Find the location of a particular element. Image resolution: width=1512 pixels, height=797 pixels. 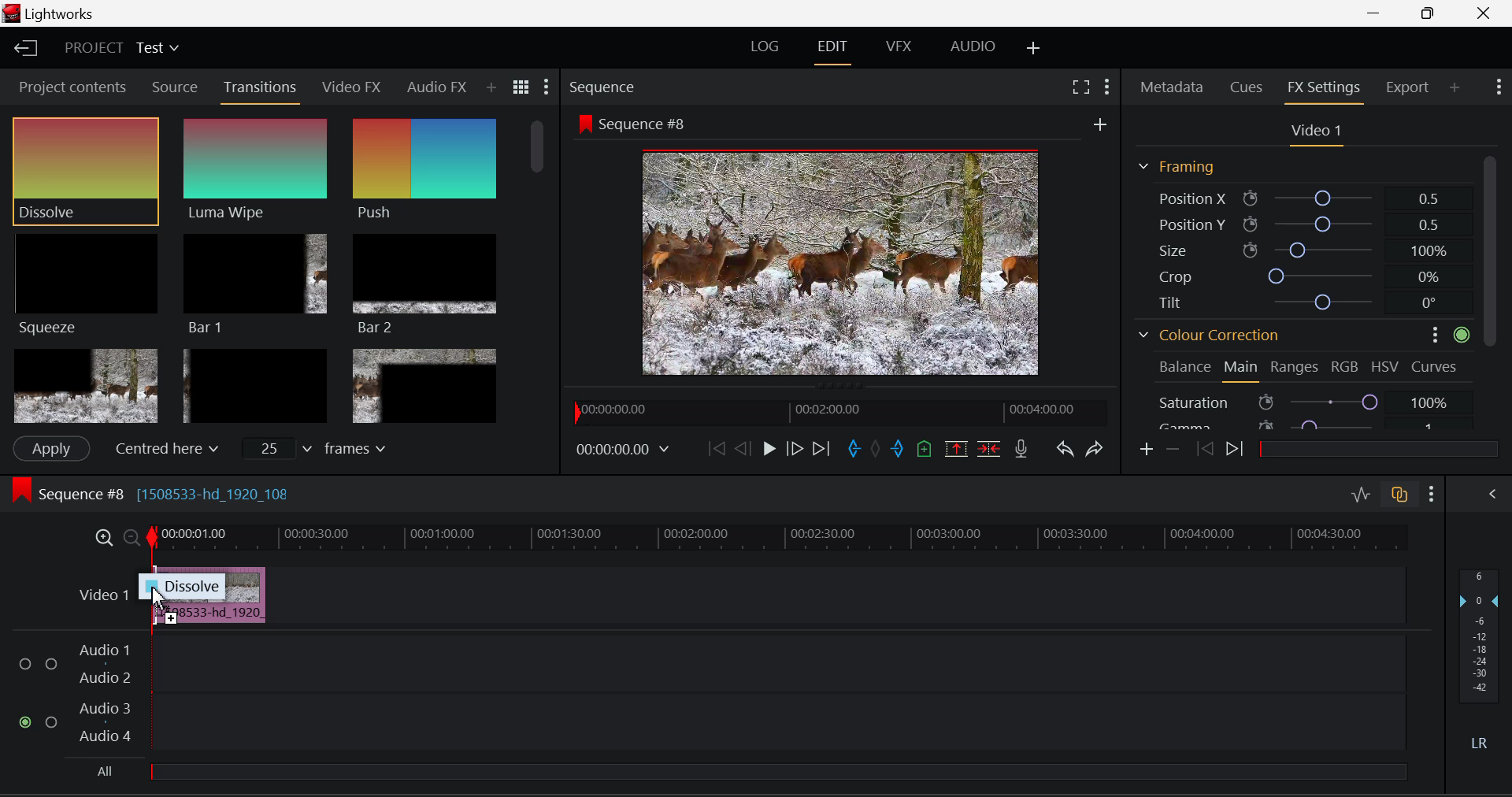

Scroll Bar is located at coordinates (539, 246).